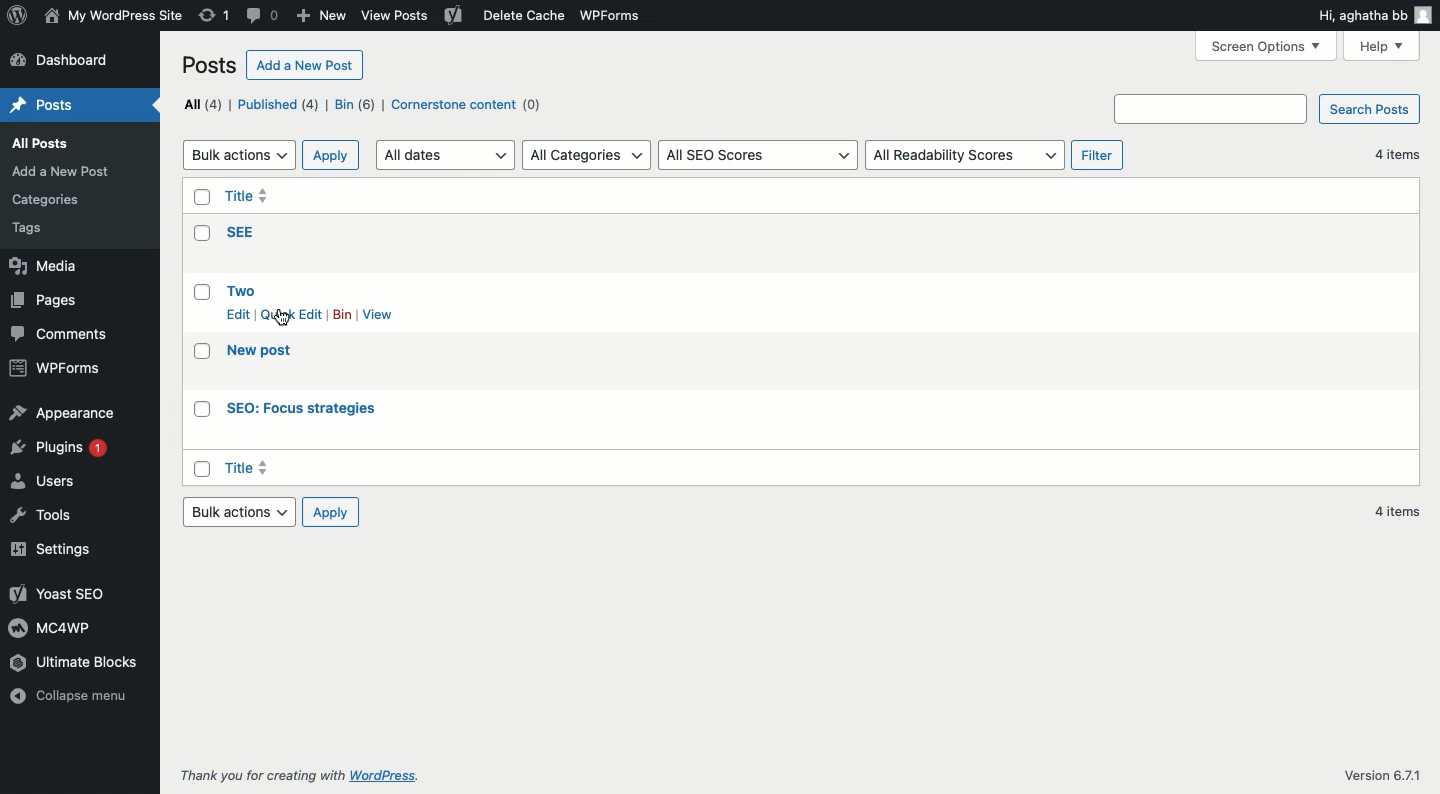 The height and width of the screenshot is (794, 1440). I want to click on Users, so click(48, 484).